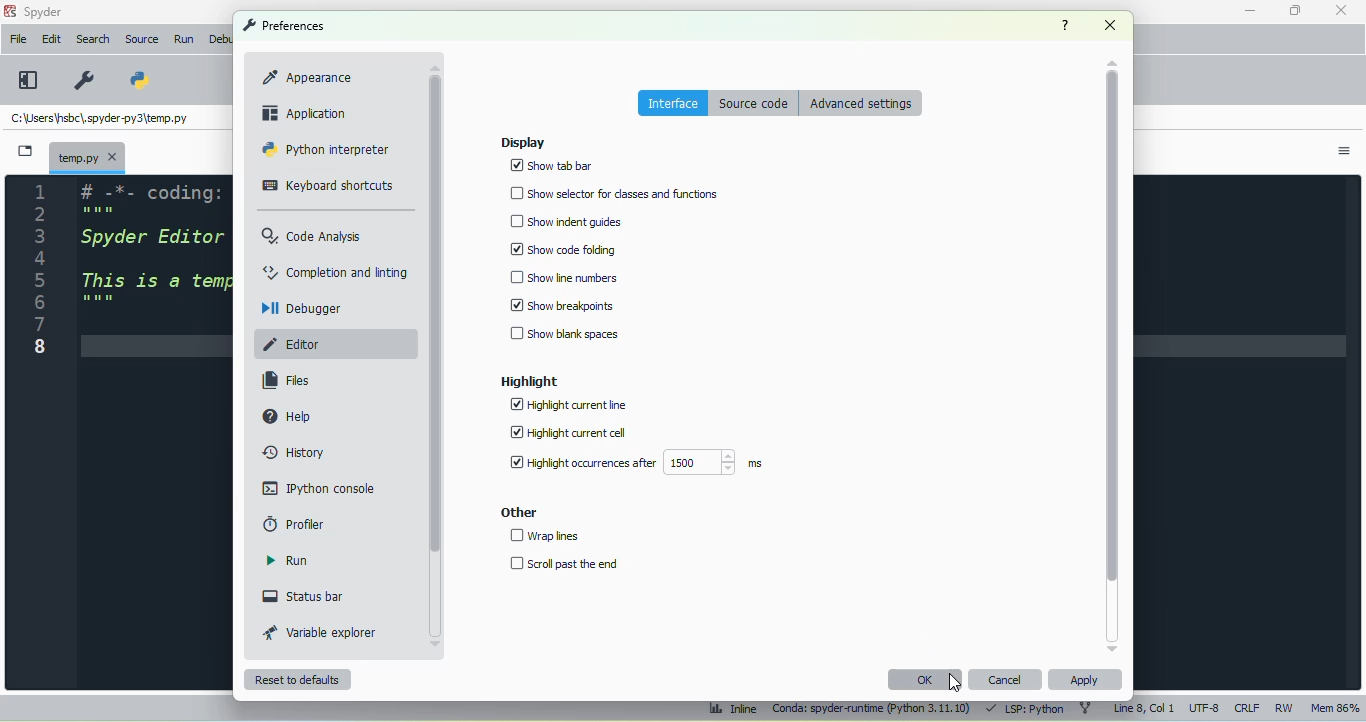 Image resolution: width=1366 pixels, height=722 pixels. I want to click on mem: 86%, so click(1337, 708).